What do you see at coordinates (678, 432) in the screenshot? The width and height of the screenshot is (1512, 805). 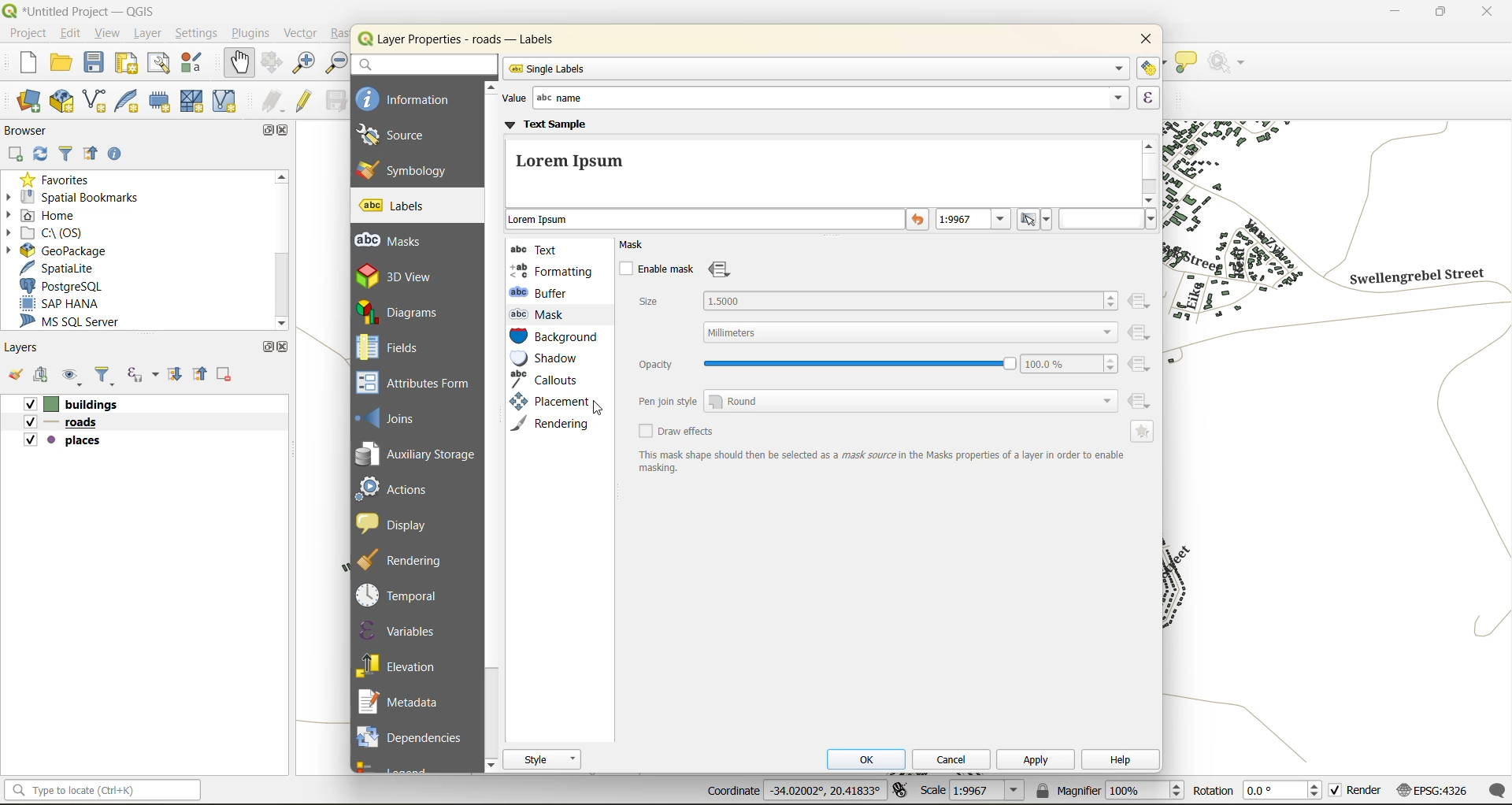 I see `draw effects` at bounding box center [678, 432].